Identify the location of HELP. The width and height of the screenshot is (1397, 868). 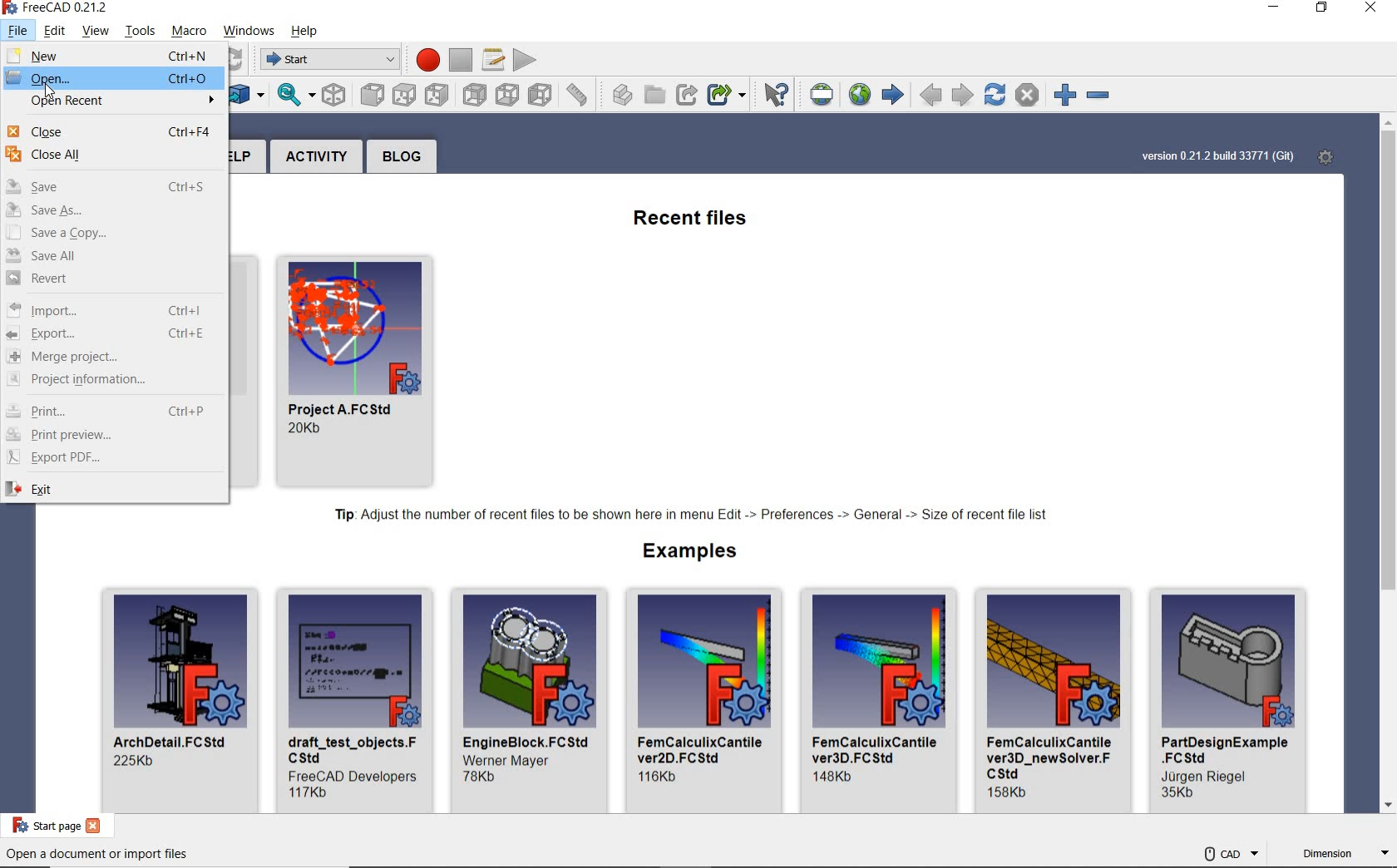
(304, 32).